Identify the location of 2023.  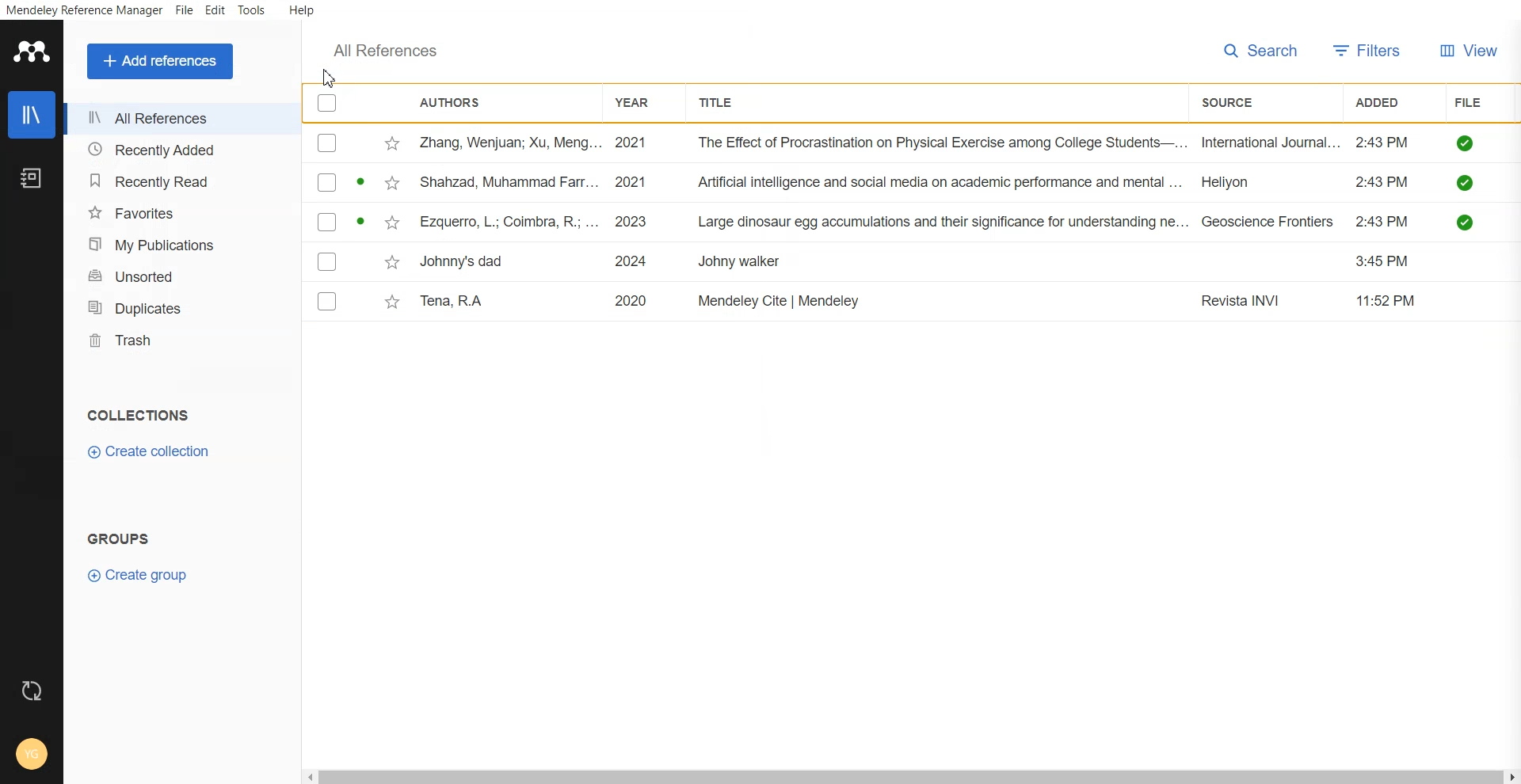
(635, 221).